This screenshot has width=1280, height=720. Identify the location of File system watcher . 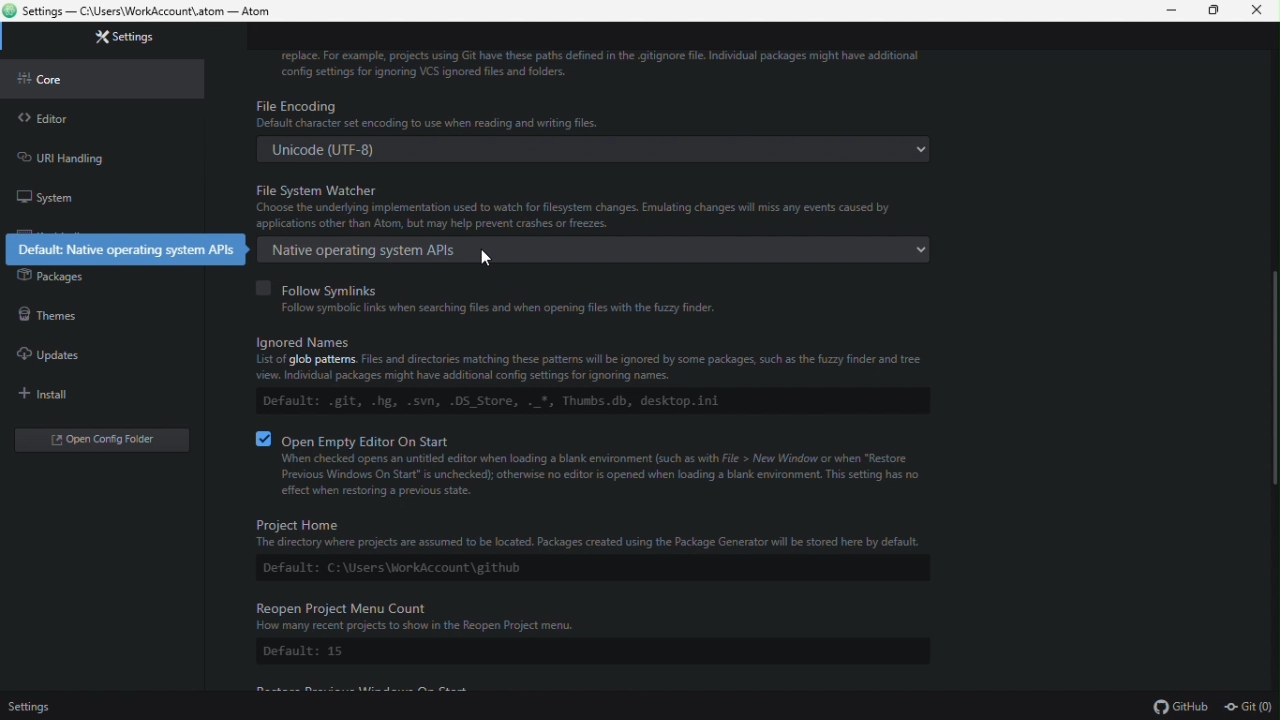
(595, 221).